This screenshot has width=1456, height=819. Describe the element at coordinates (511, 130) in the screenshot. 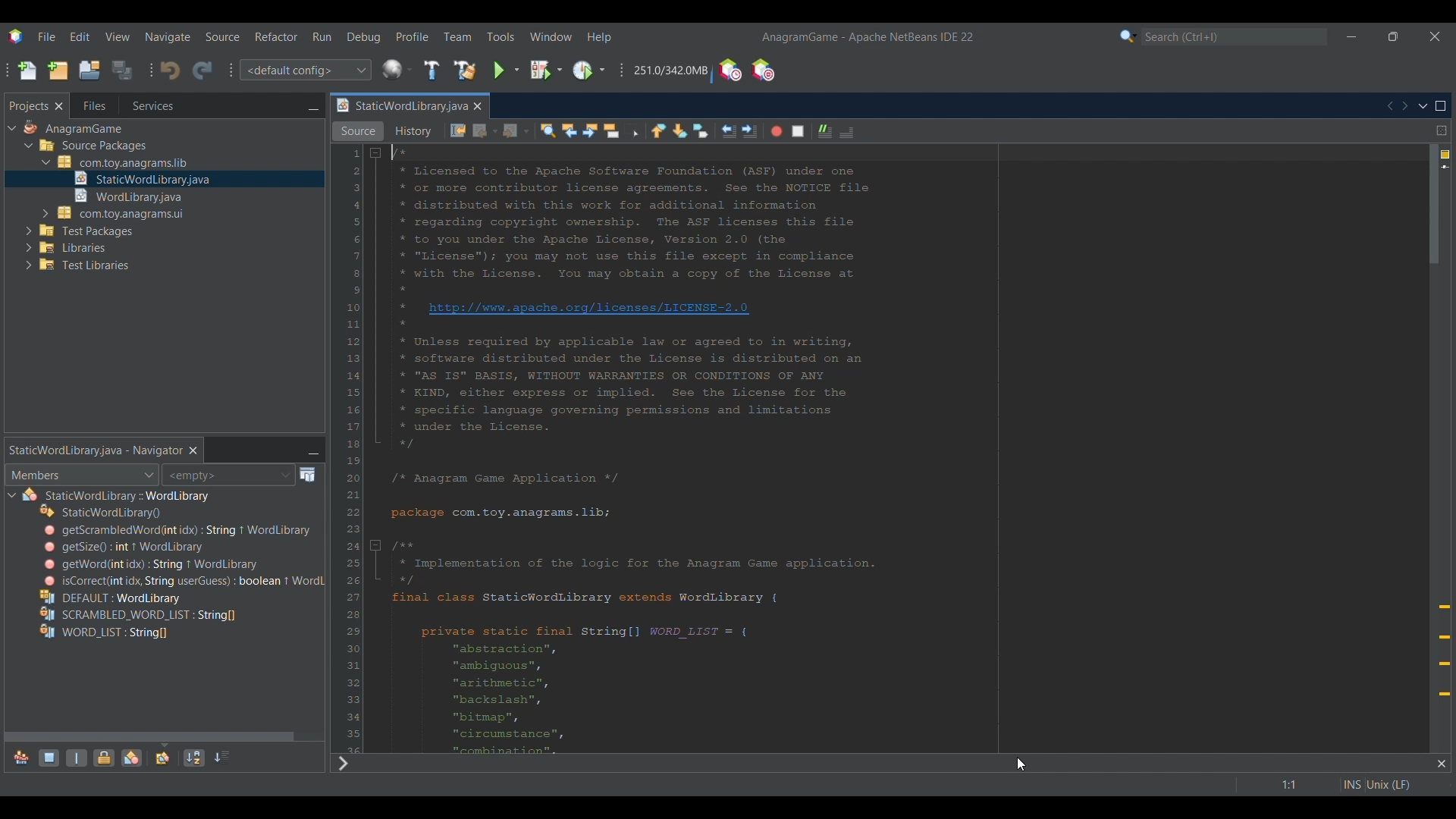

I see `Forward` at that location.